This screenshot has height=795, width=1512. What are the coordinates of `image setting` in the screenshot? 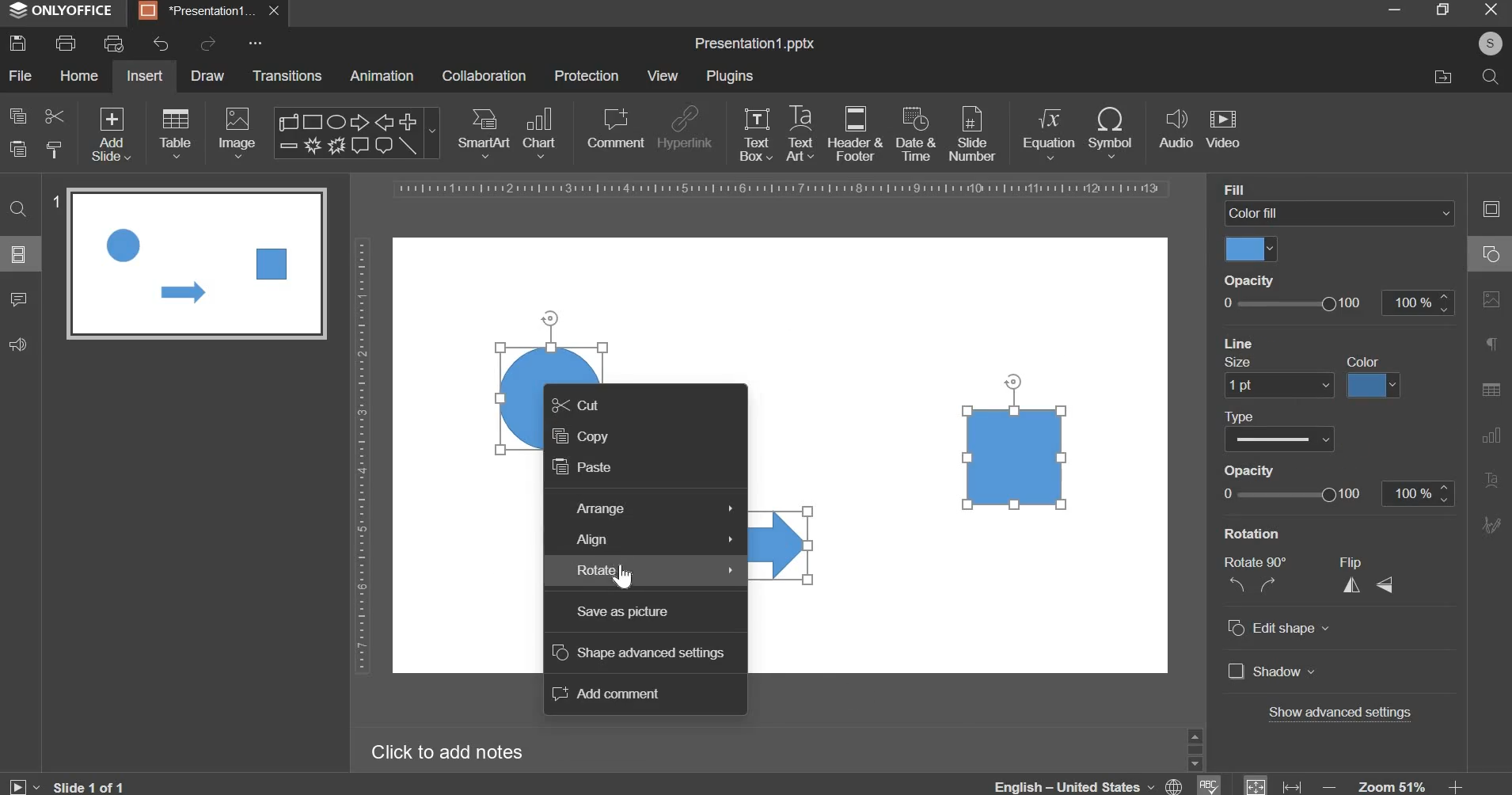 It's located at (1489, 296).